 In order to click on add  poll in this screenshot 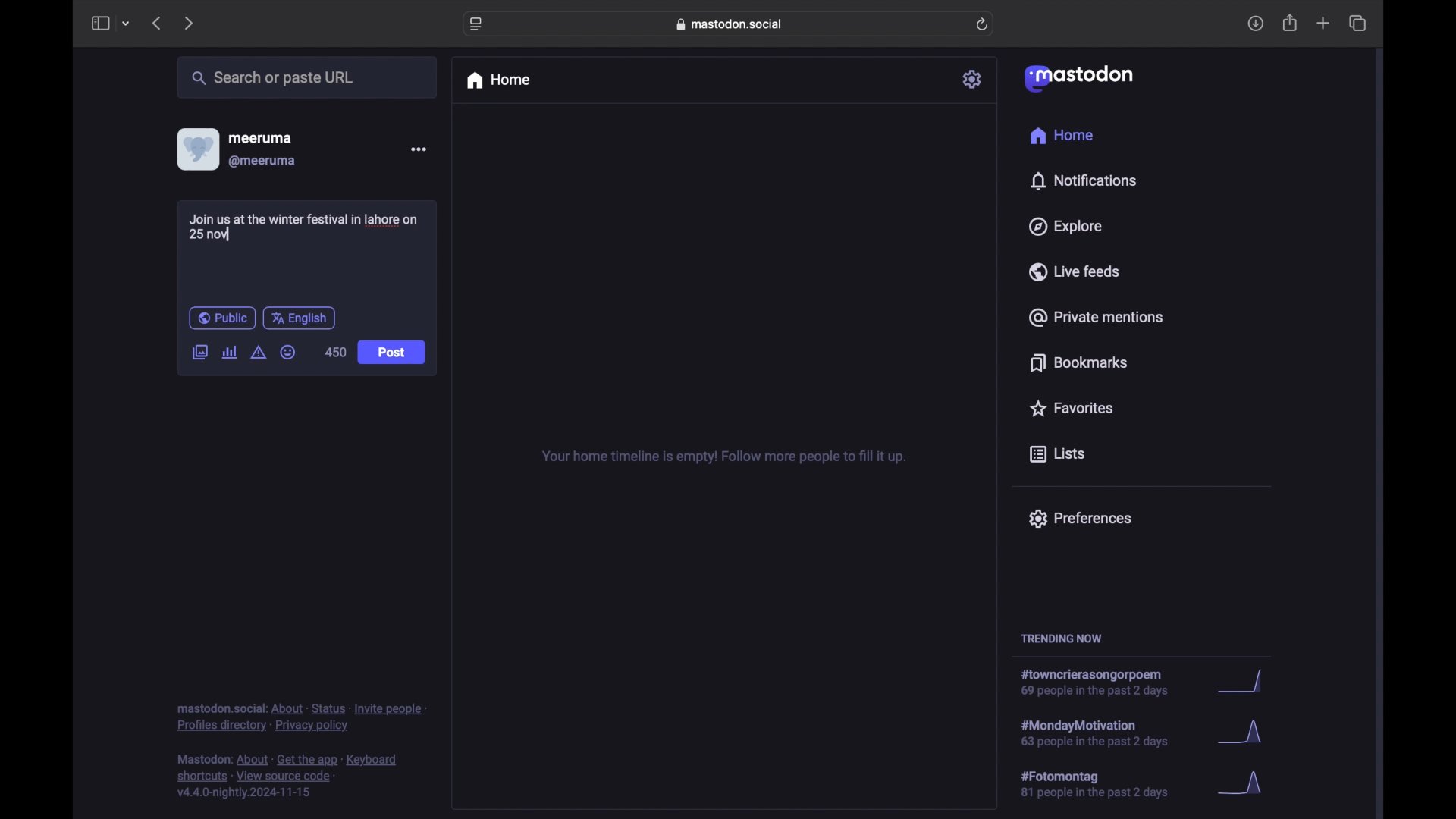, I will do `click(229, 352)`.